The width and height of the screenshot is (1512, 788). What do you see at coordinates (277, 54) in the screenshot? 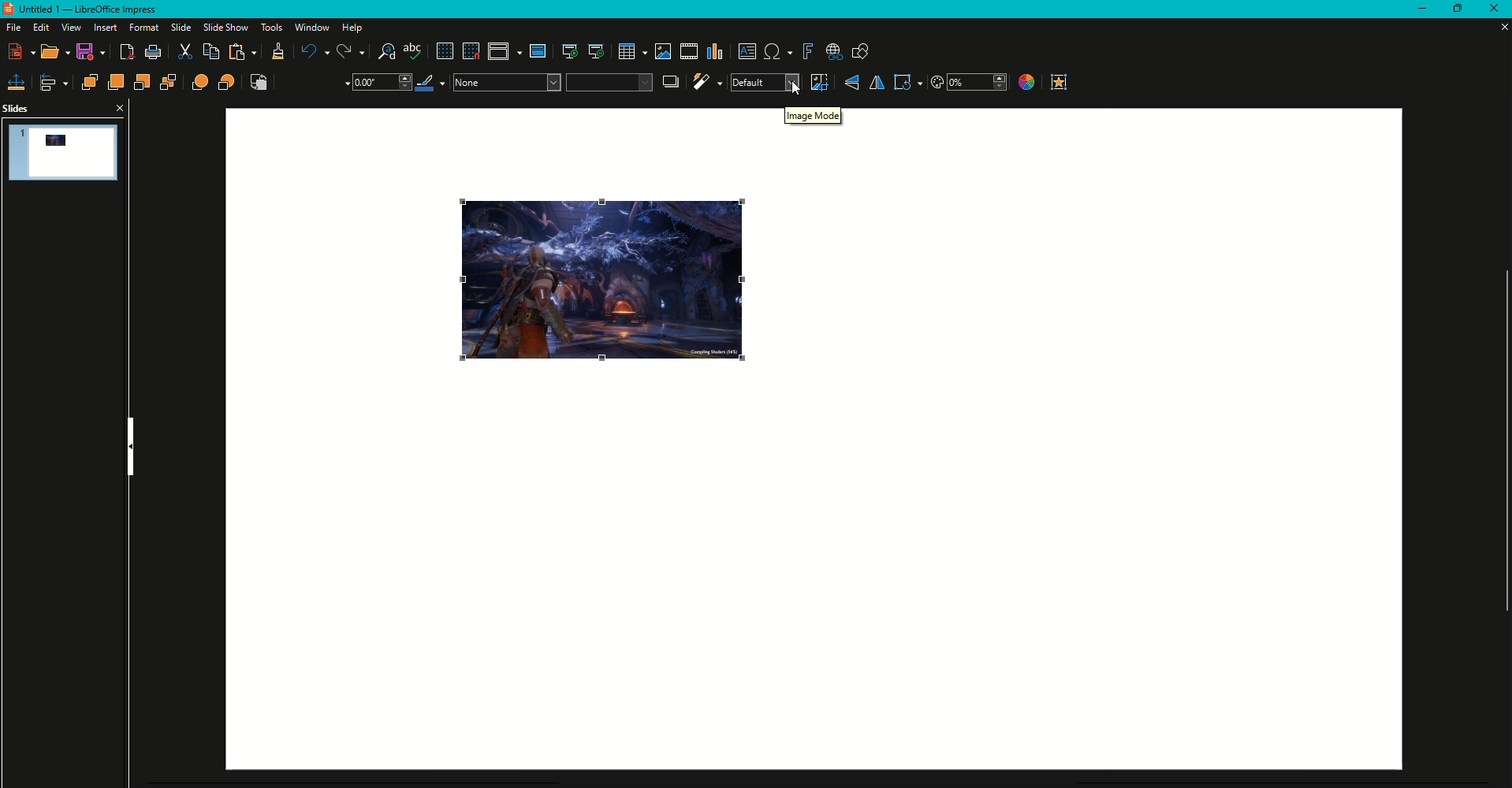
I see `Clone Formatting` at bounding box center [277, 54].